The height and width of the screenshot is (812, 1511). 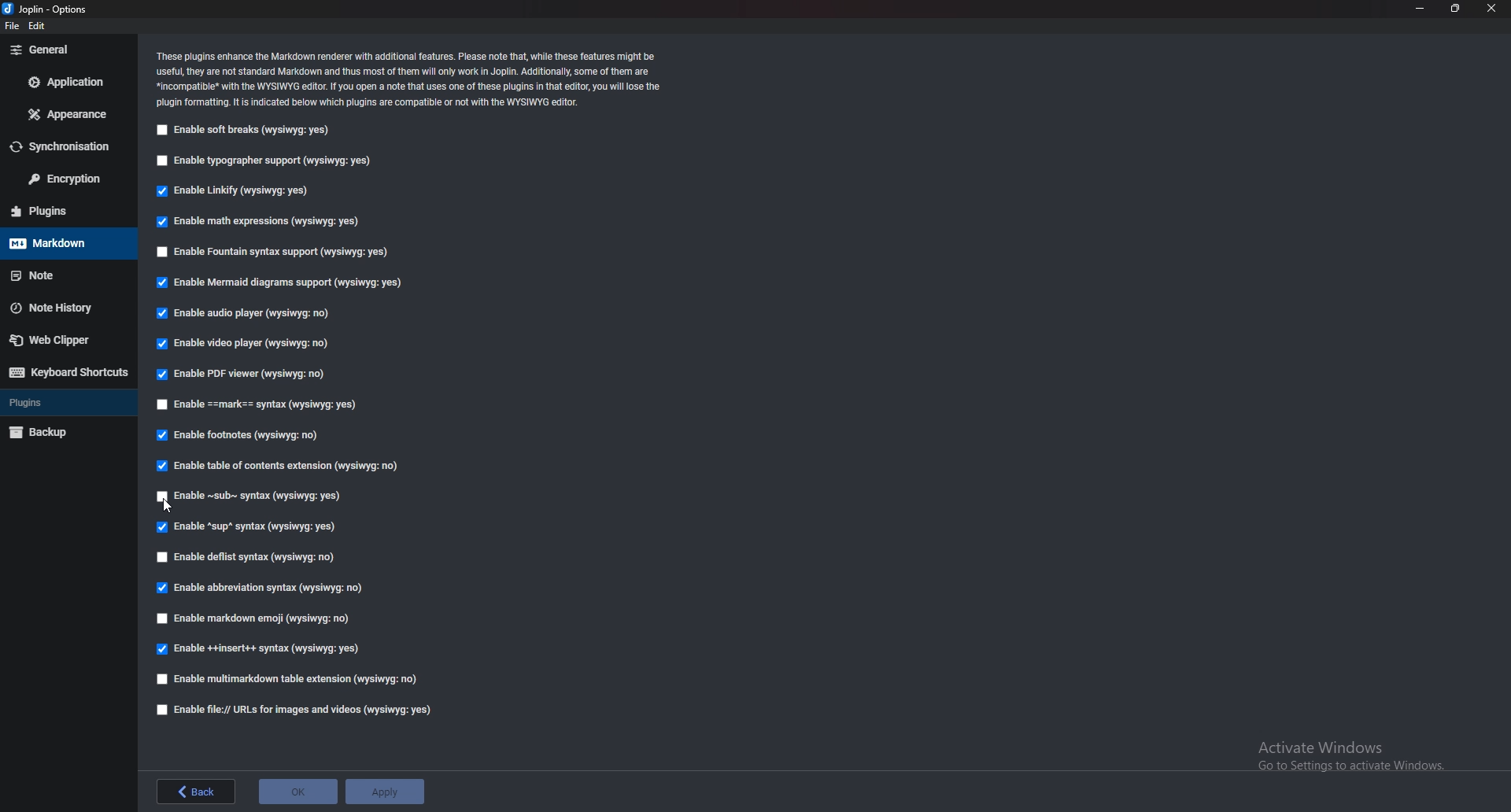 I want to click on apply, so click(x=383, y=791).